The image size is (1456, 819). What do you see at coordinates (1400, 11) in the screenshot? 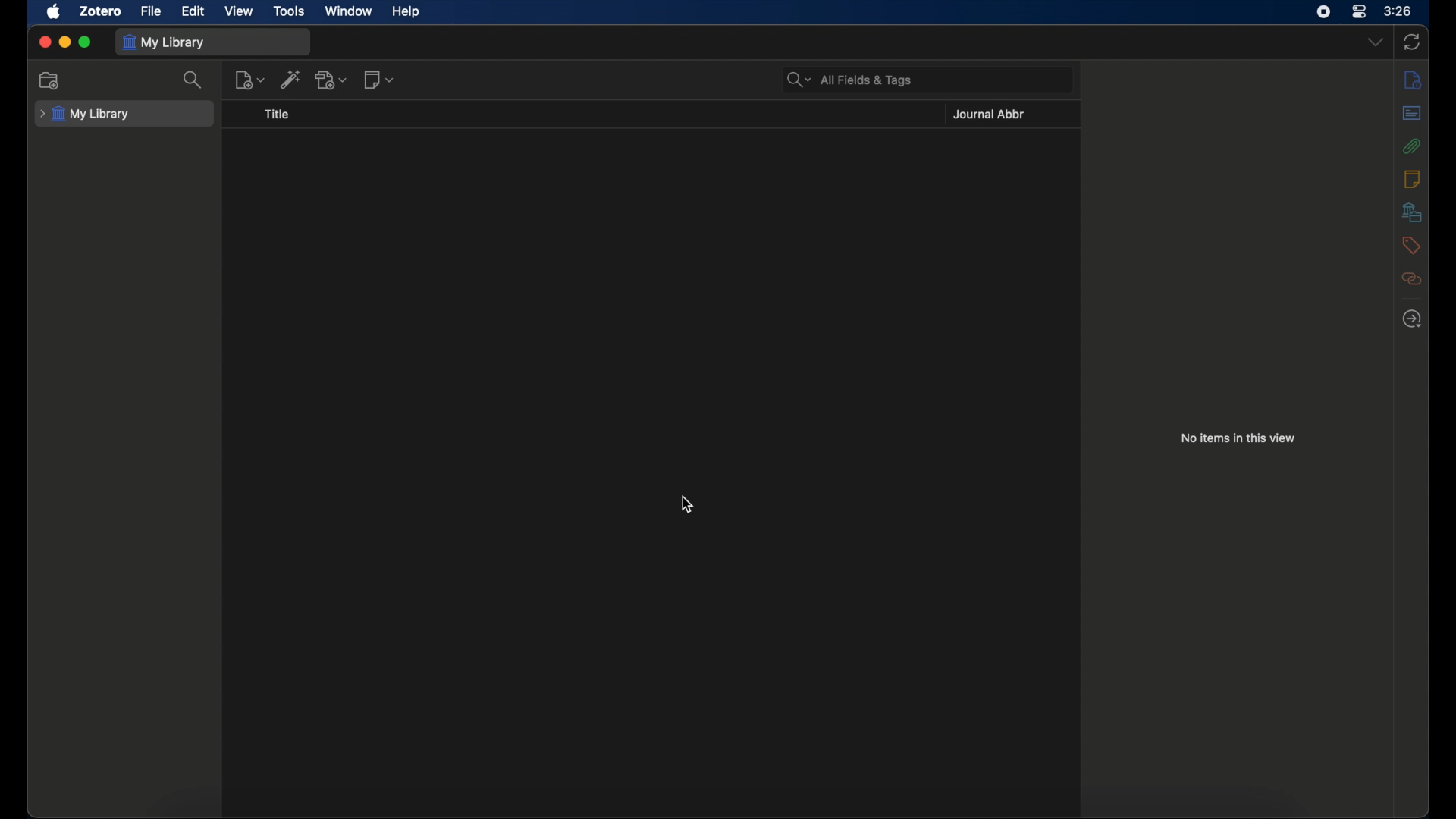
I see `time (3:25)` at bounding box center [1400, 11].